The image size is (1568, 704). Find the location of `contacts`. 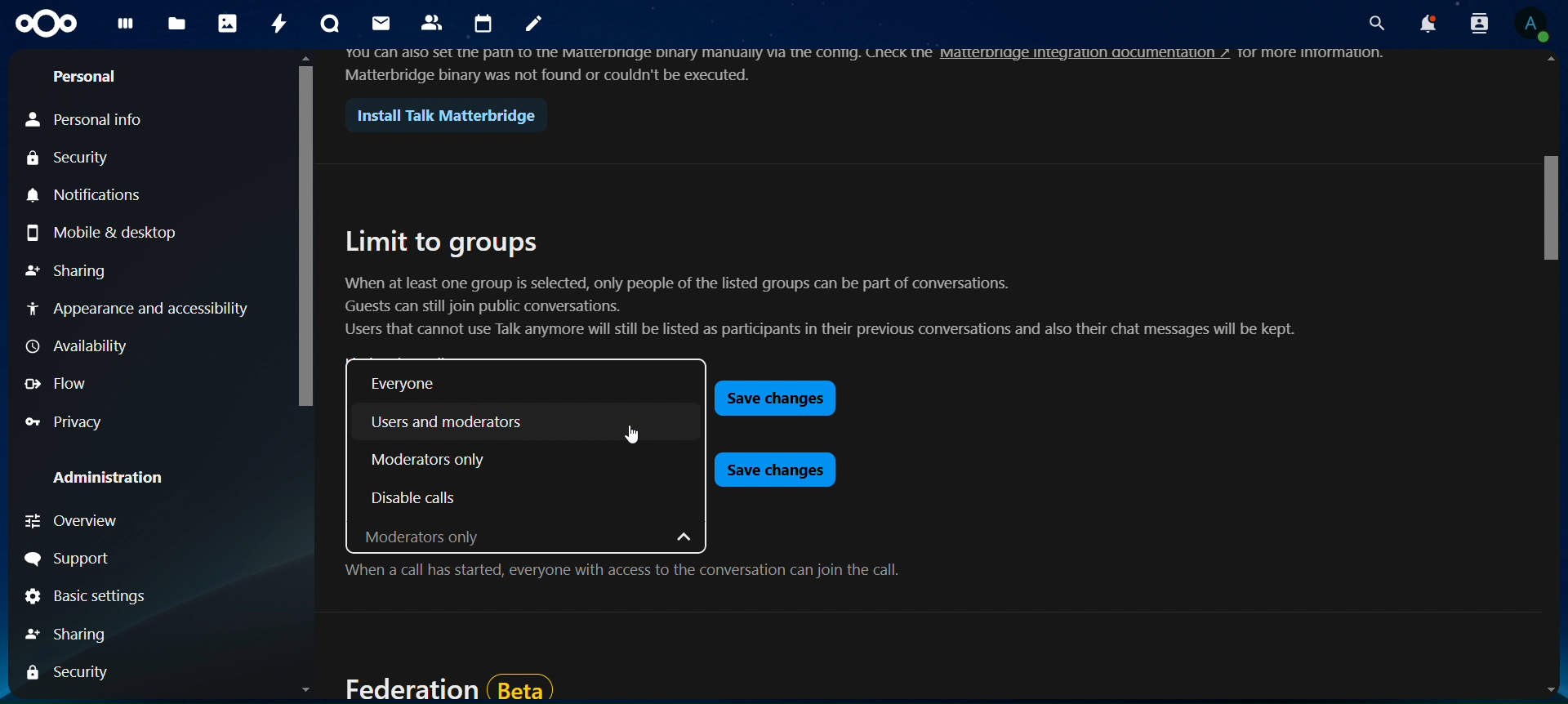

contacts is located at coordinates (433, 21).